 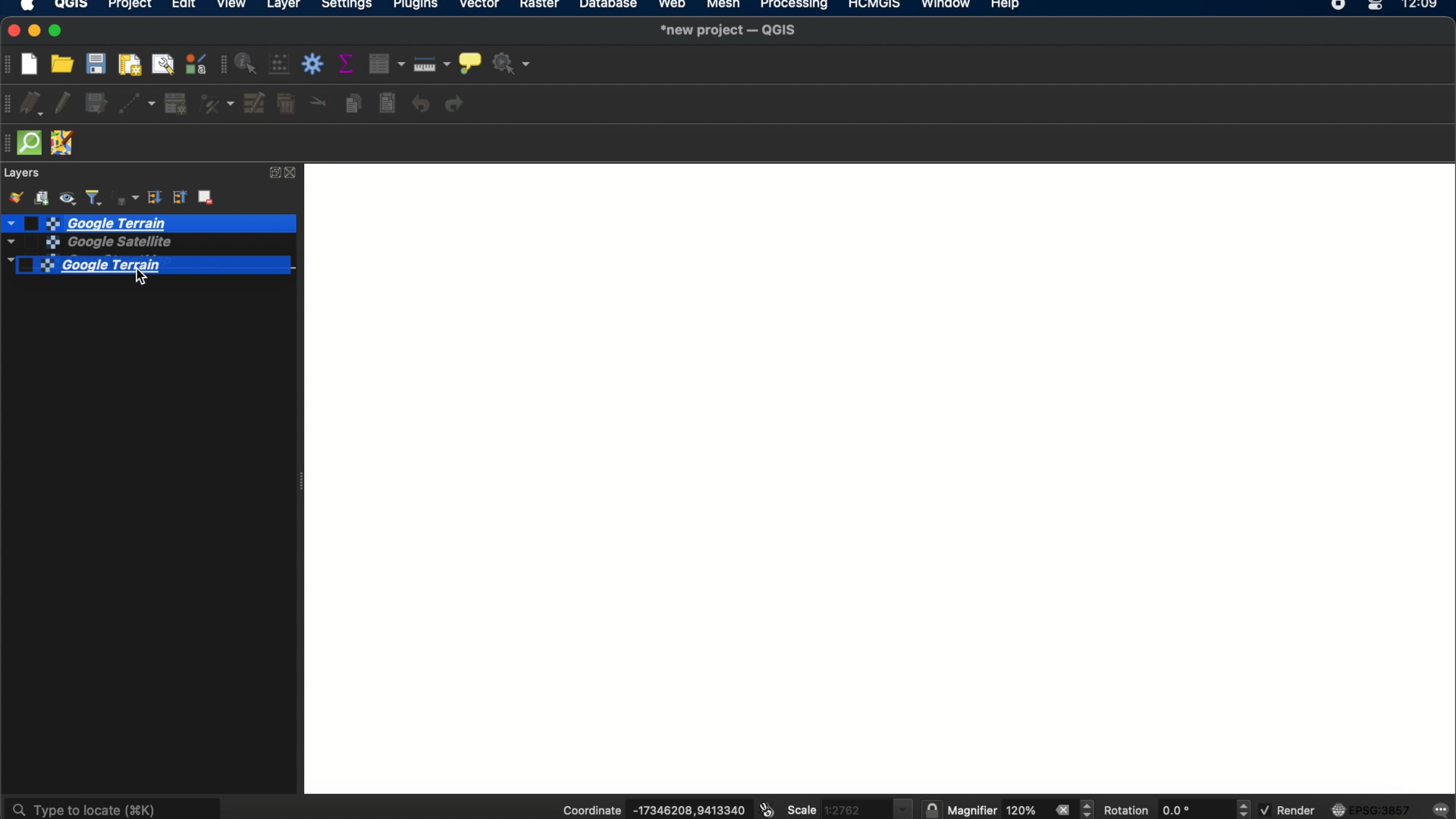 I want to click on QGIS, so click(x=71, y=6).